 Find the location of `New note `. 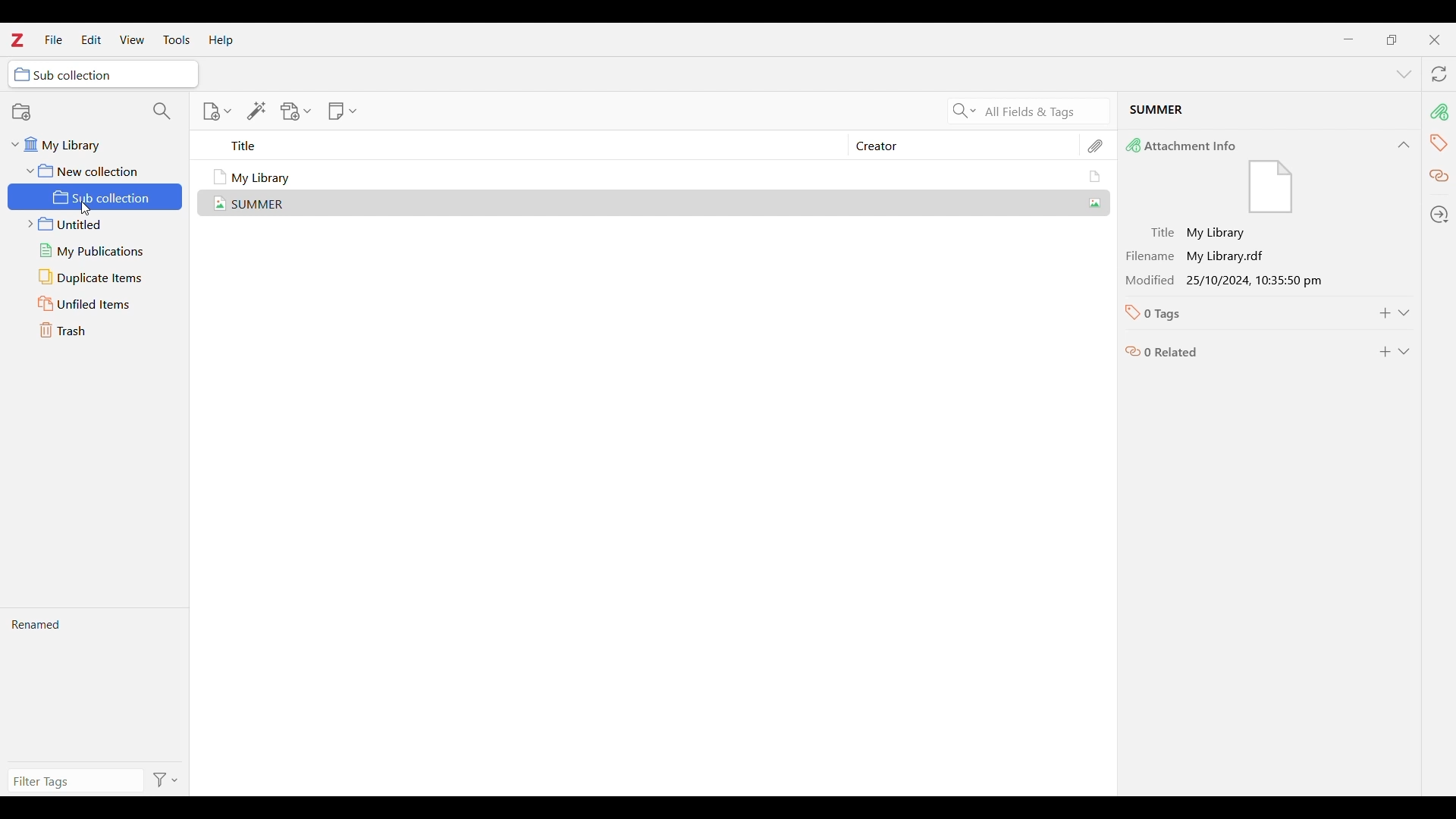

New note  is located at coordinates (342, 111).